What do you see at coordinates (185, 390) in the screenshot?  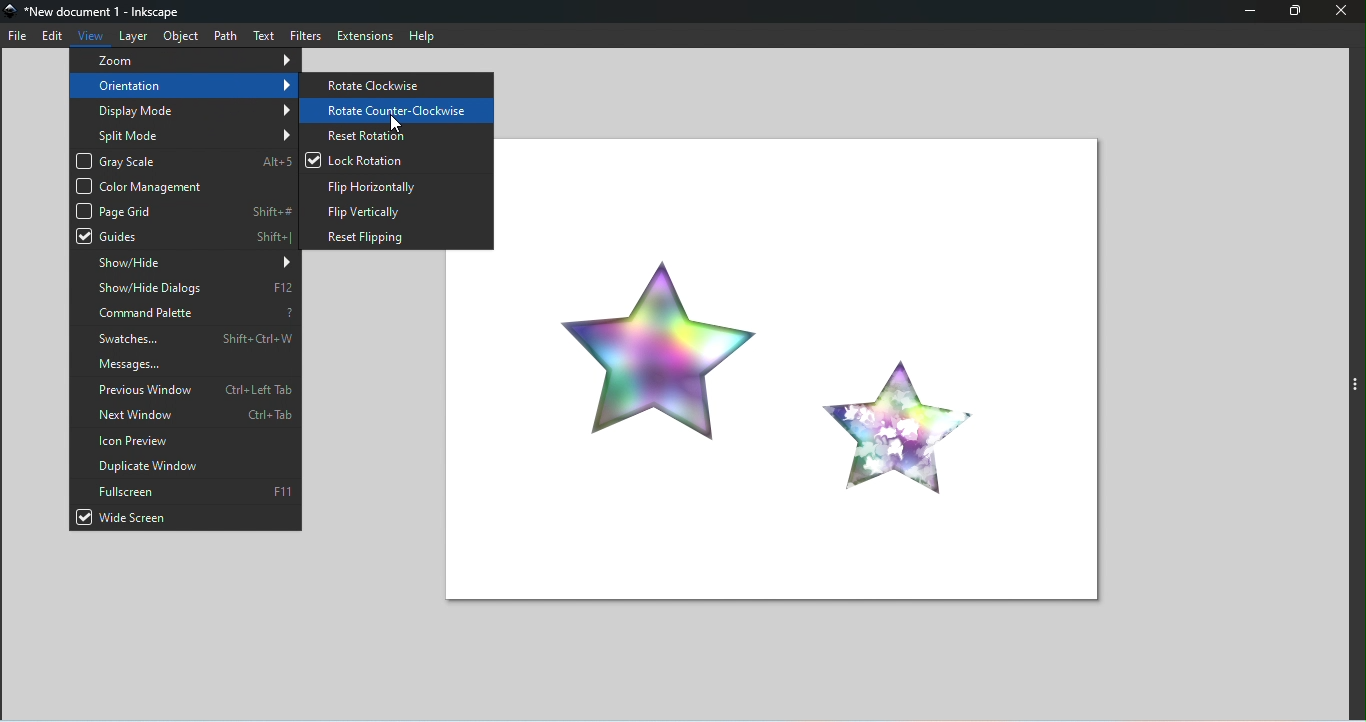 I see `Previous window` at bounding box center [185, 390].